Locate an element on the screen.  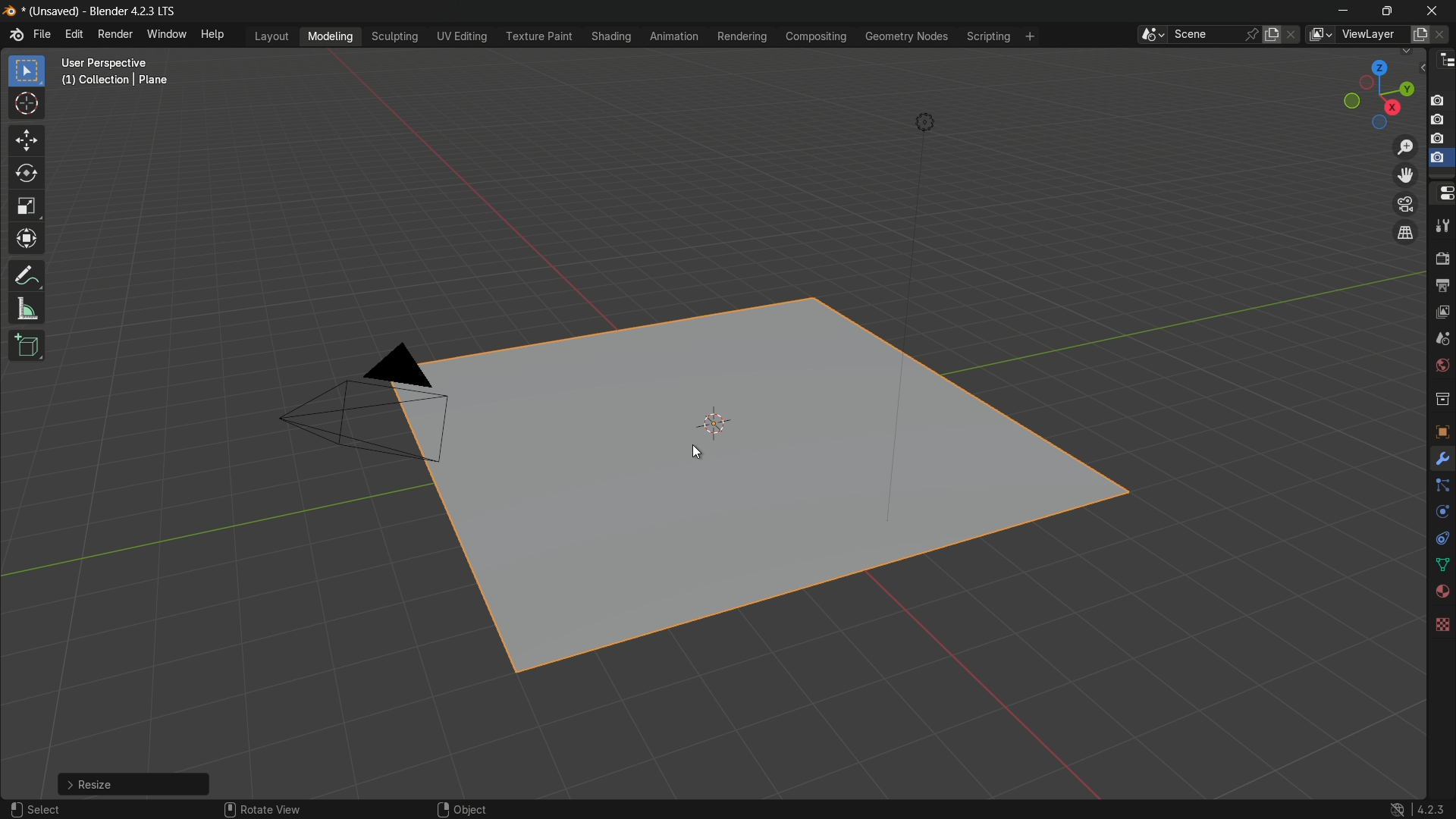
close app is located at coordinates (1434, 11).